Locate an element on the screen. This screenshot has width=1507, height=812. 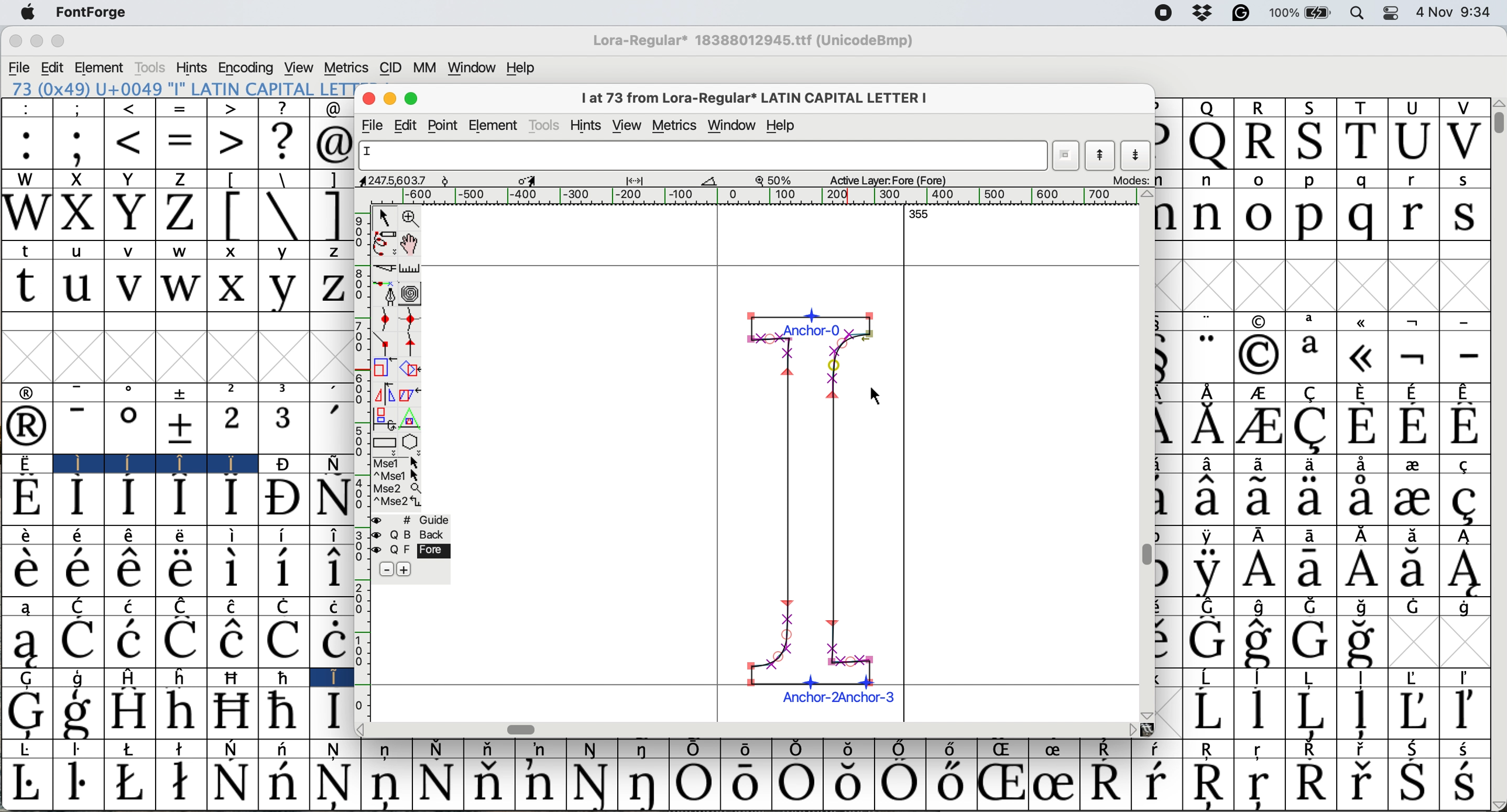
window is located at coordinates (733, 125).